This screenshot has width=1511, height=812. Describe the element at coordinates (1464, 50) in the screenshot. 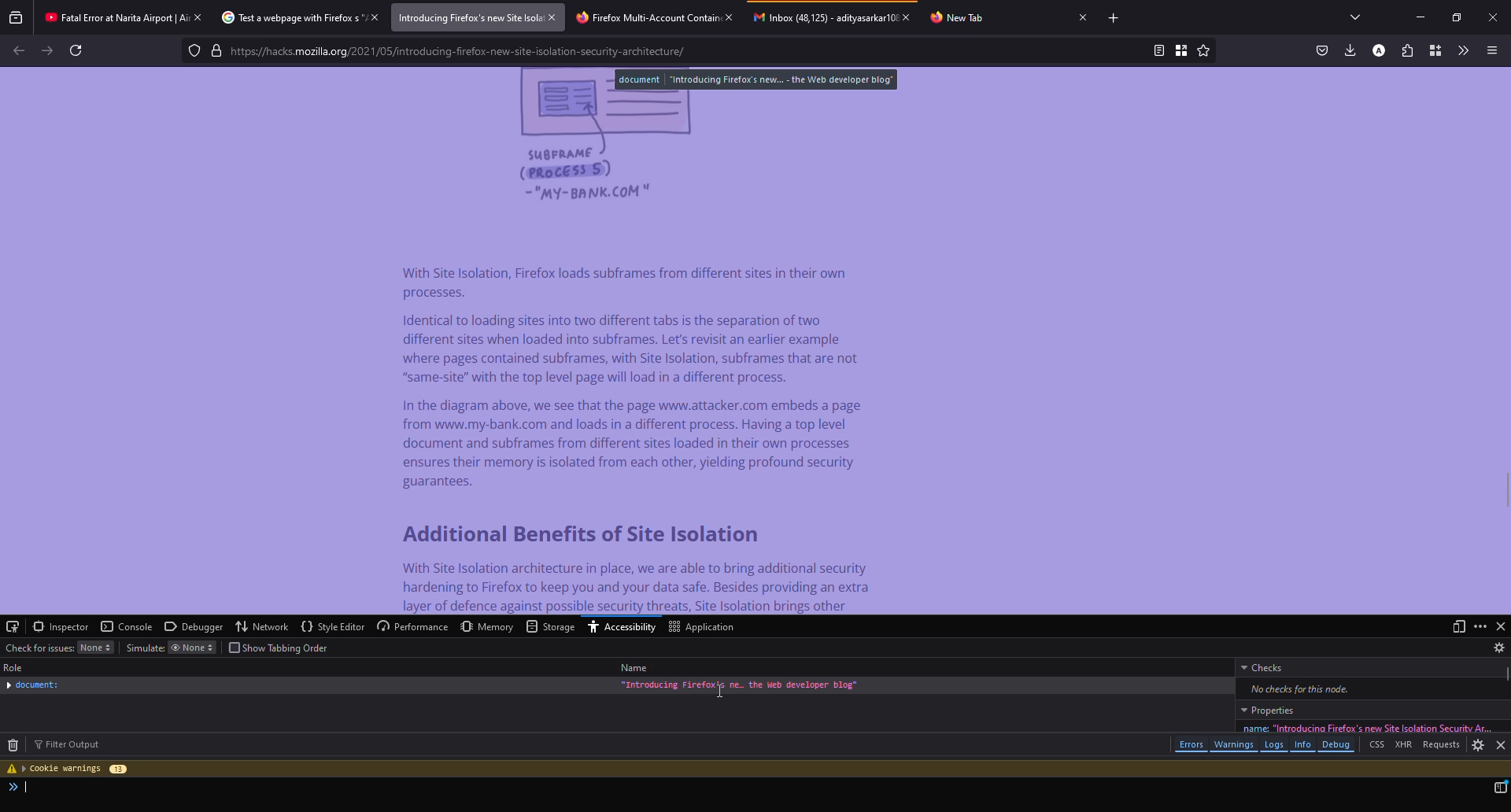

I see `more tools` at that location.